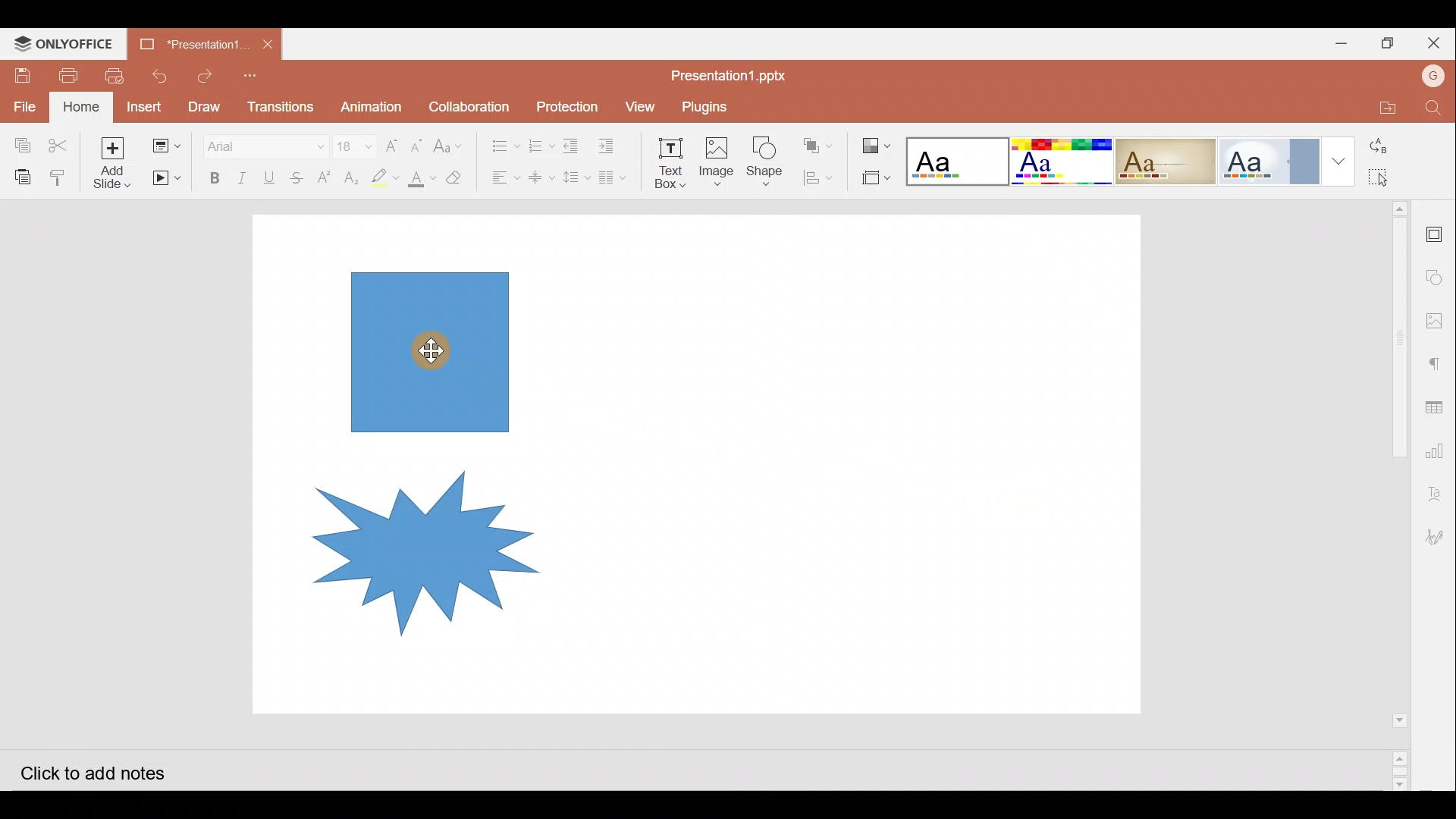  I want to click on Quick print, so click(118, 73).